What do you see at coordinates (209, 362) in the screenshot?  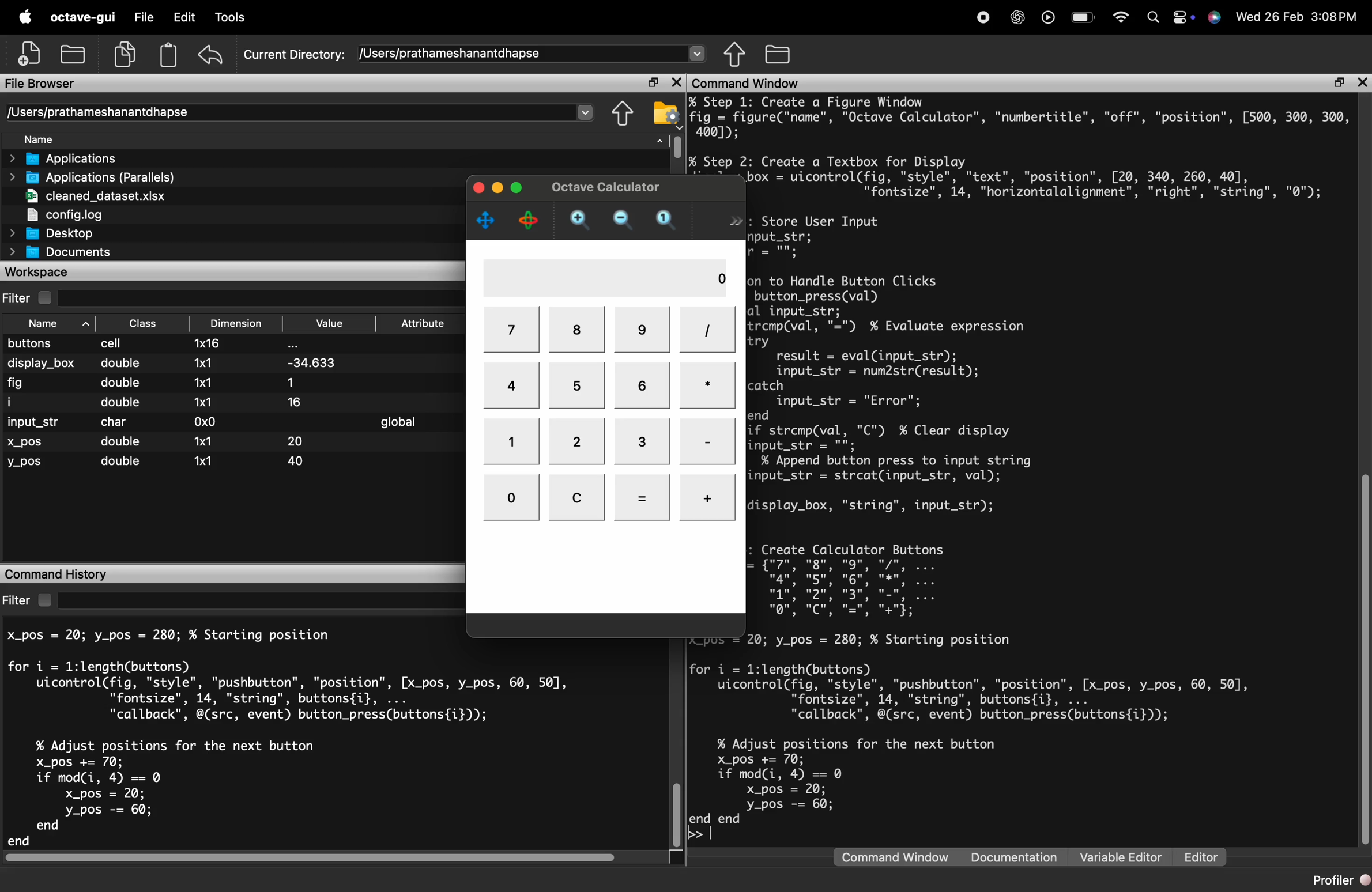 I see `1x1` at bounding box center [209, 362].